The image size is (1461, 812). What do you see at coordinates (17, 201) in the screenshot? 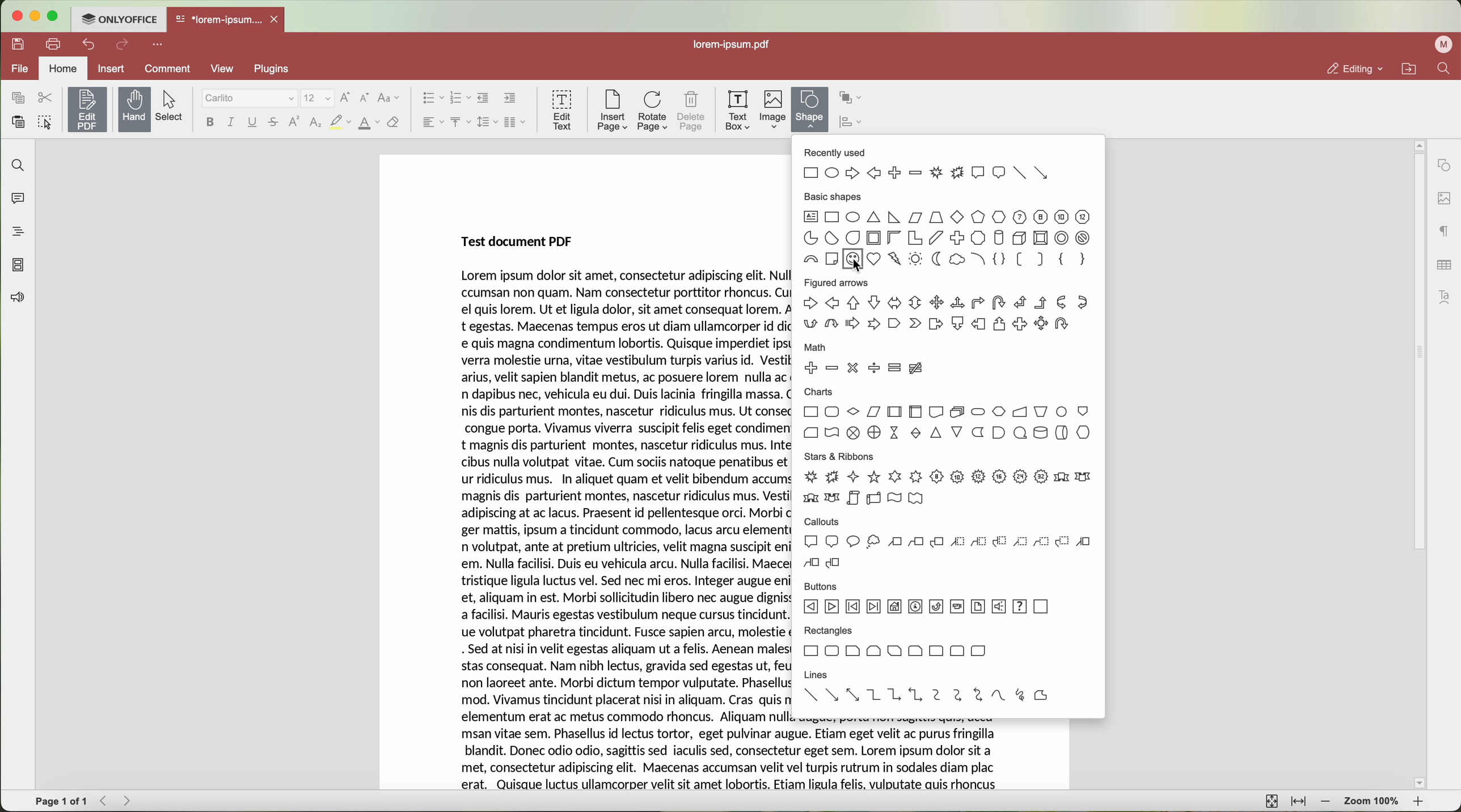
I see `comments` at bounding box center [17, 201].